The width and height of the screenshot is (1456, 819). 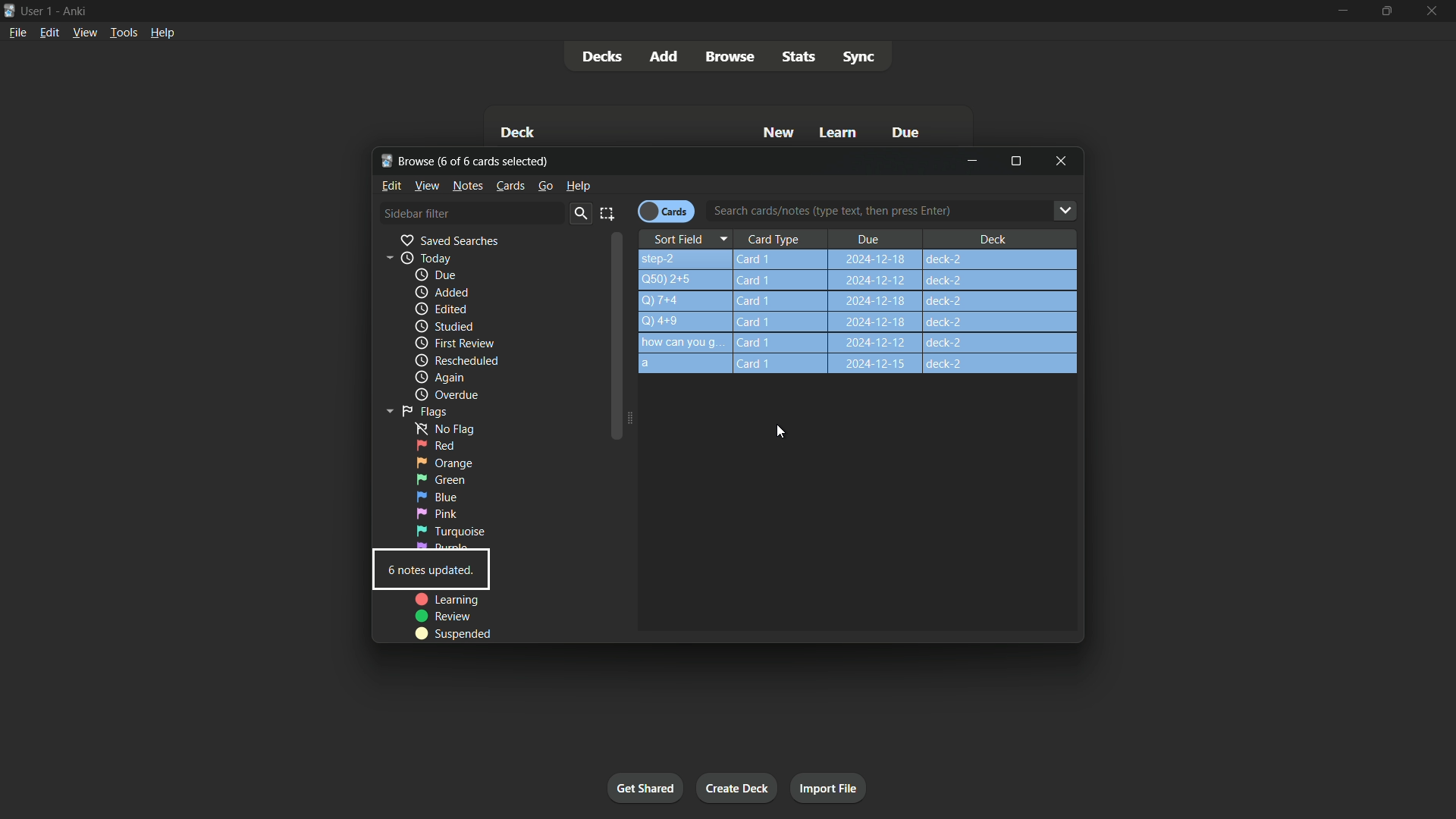 What do you see at coordinates (780, 133) in the screenshot?
I see `New` at bounding box center [780, 133].